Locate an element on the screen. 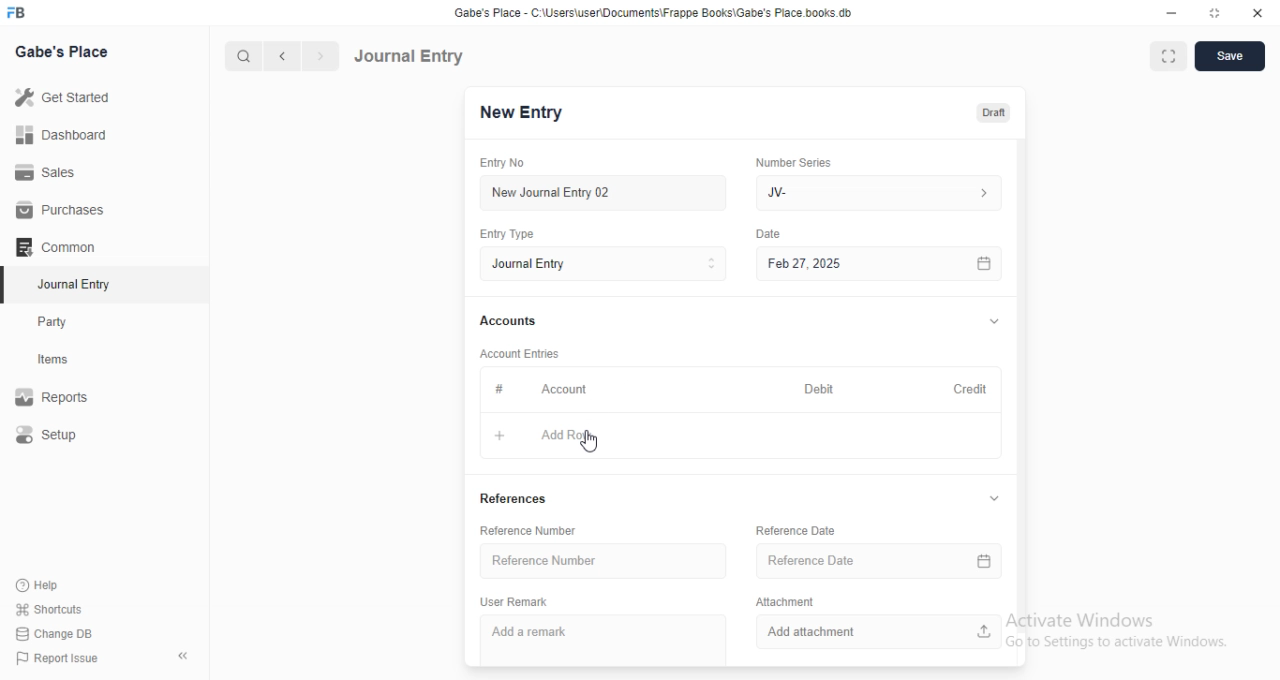  Add is located at coordinates (499, 435).